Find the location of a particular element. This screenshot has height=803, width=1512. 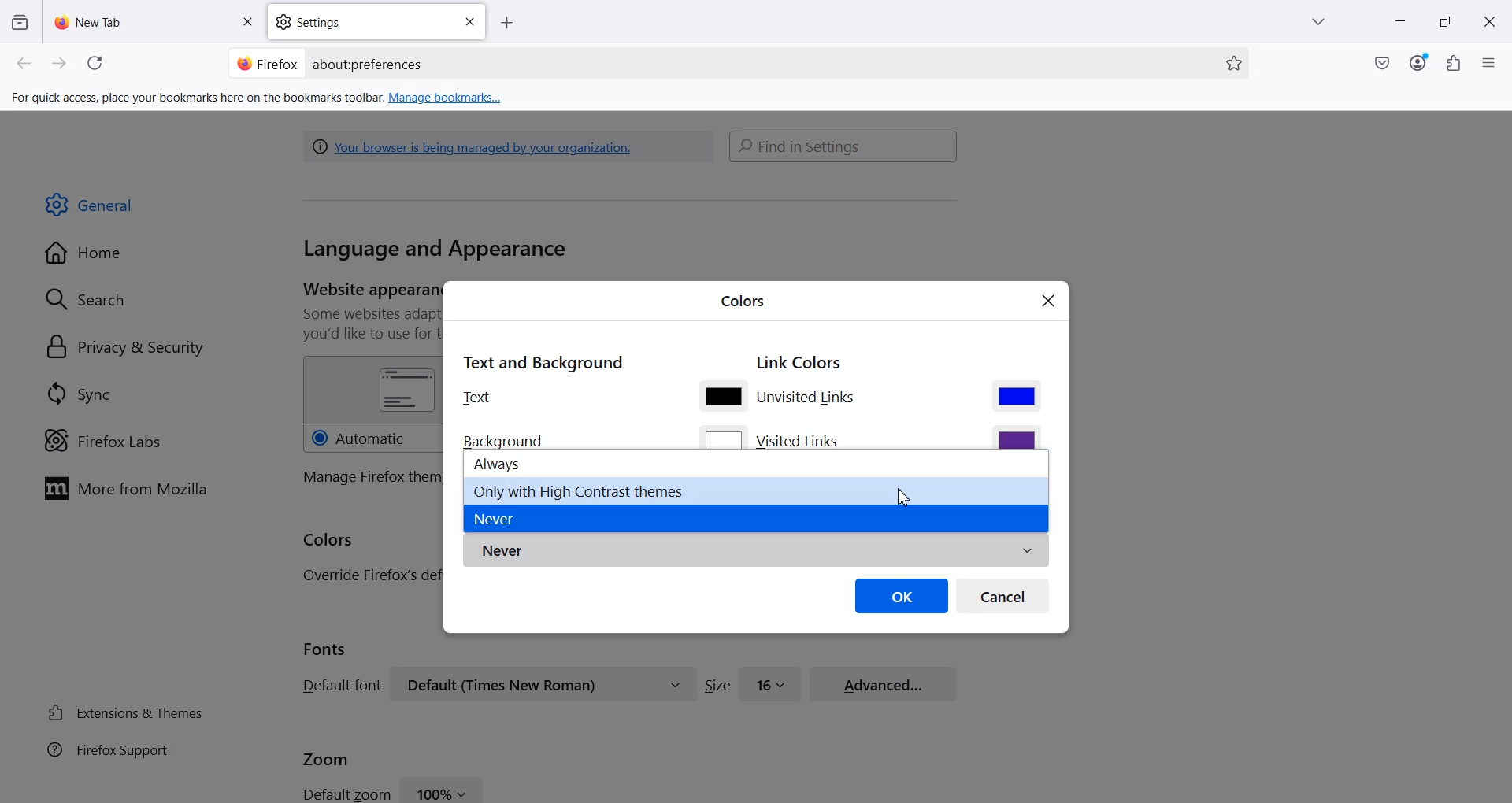

Account is located at coordinates (1418, 63).